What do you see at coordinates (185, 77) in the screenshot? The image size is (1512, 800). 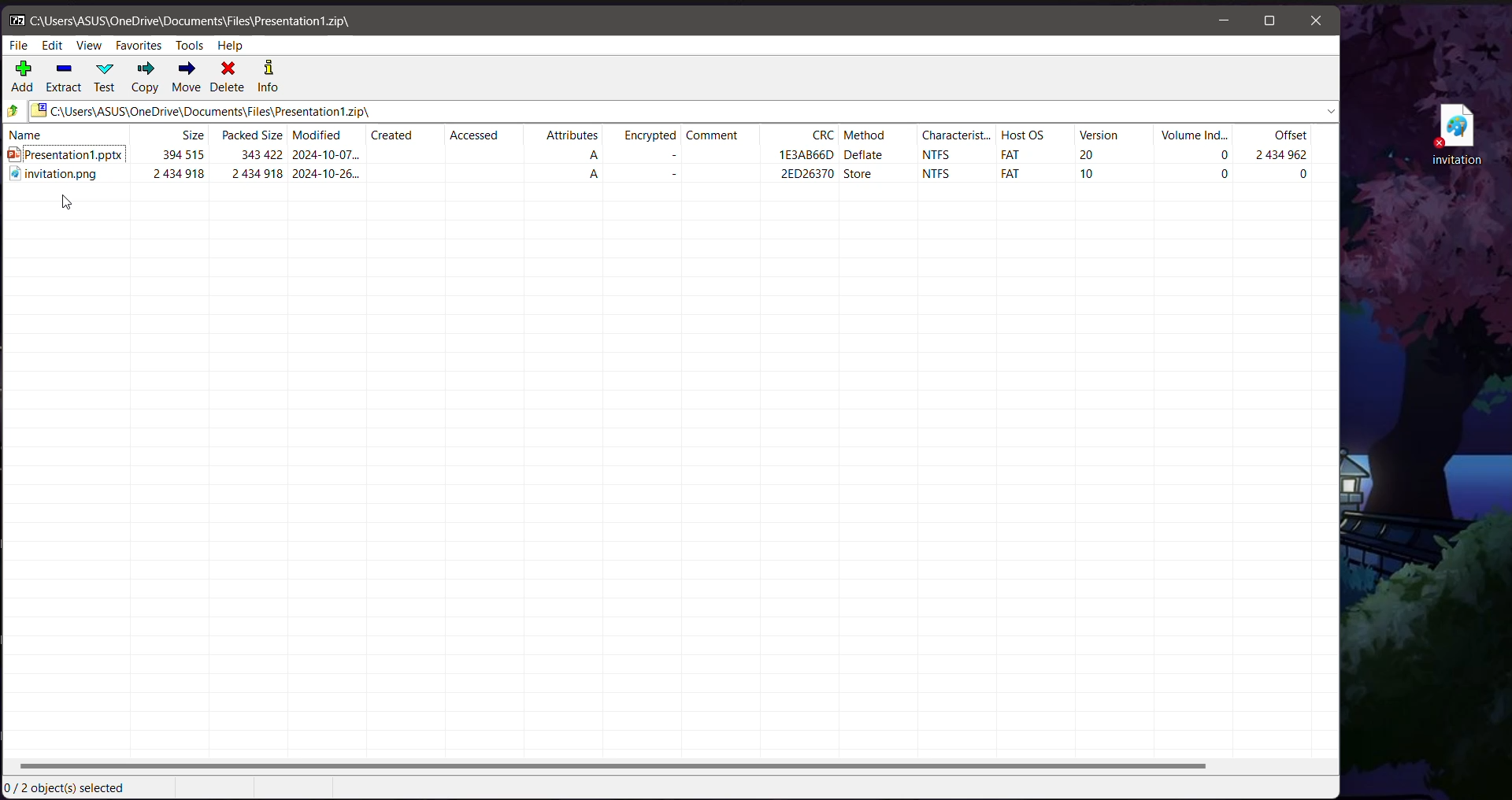 I see `Move` at bounding box center [185, 77].